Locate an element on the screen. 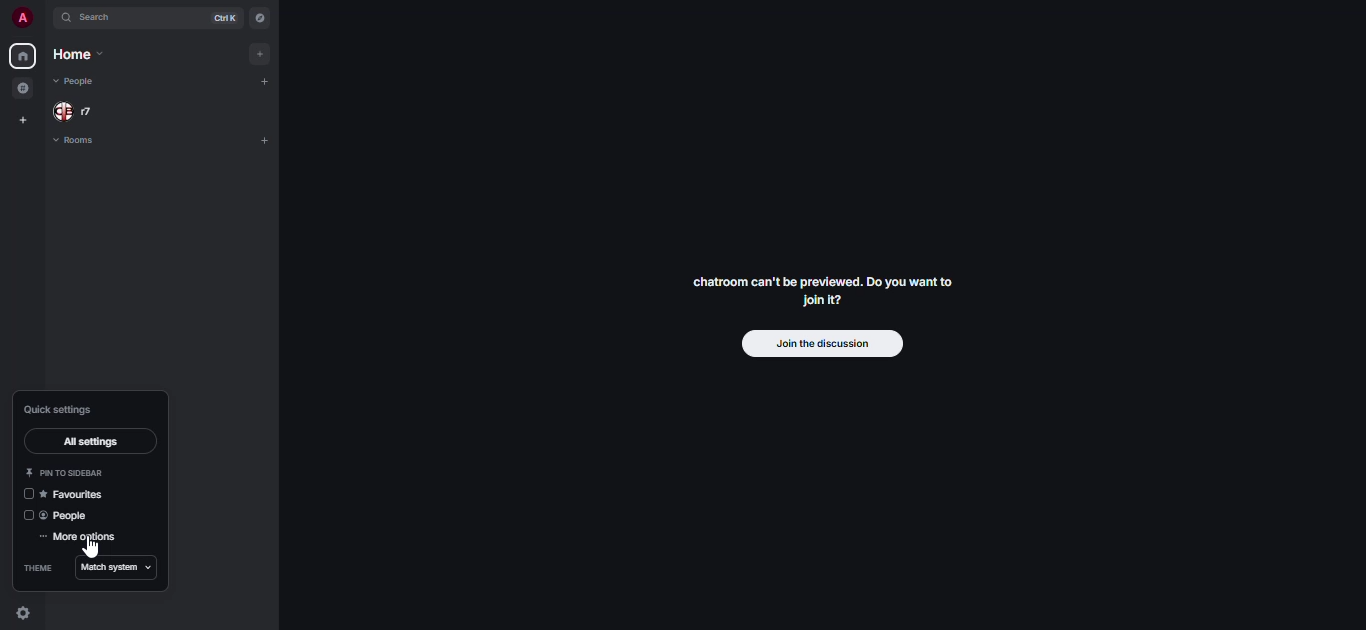 The width and height of the screenshot is (1366, 630). navigator is located at coordinates (261, 18).